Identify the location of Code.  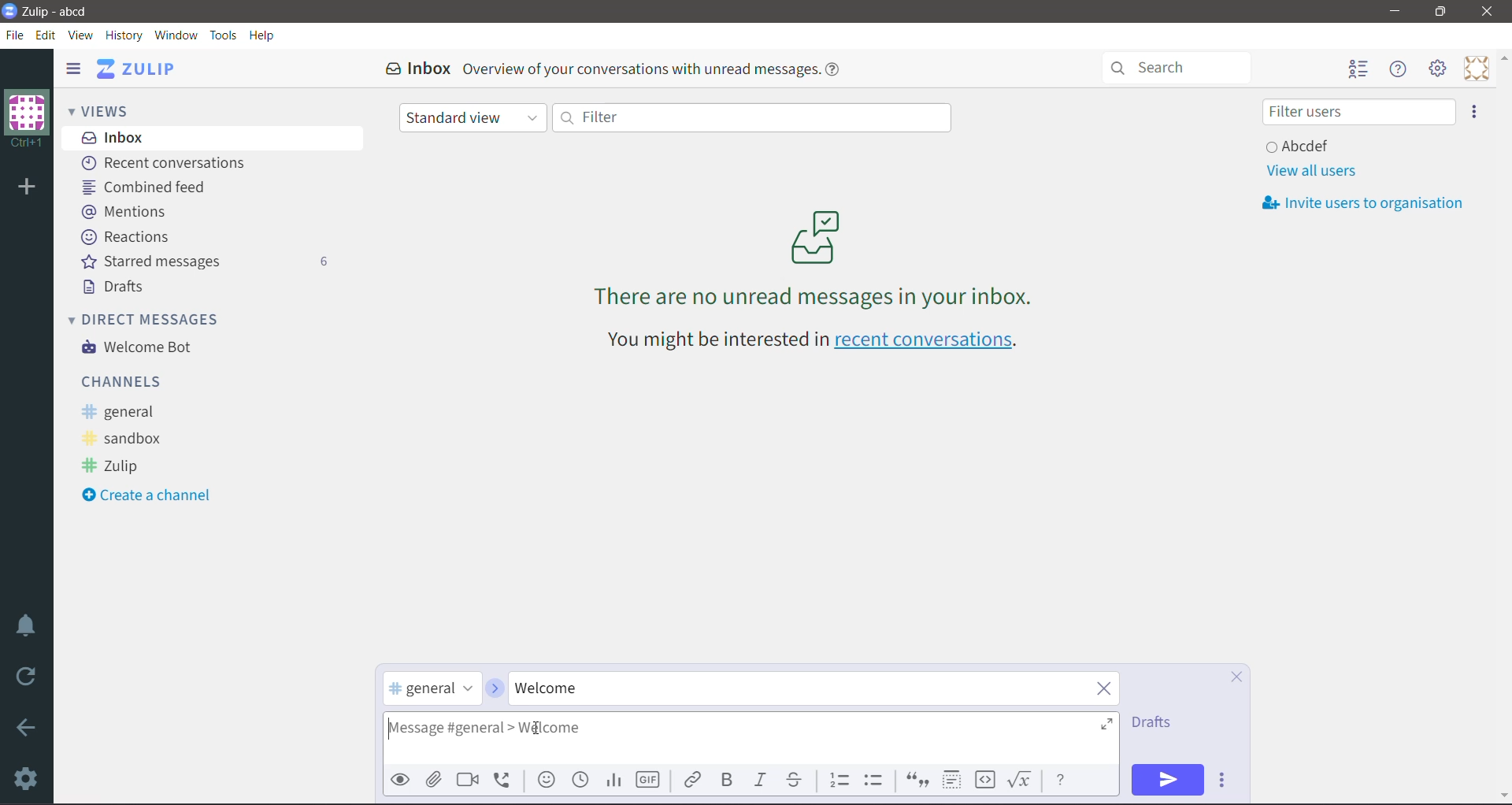
(985, 781).